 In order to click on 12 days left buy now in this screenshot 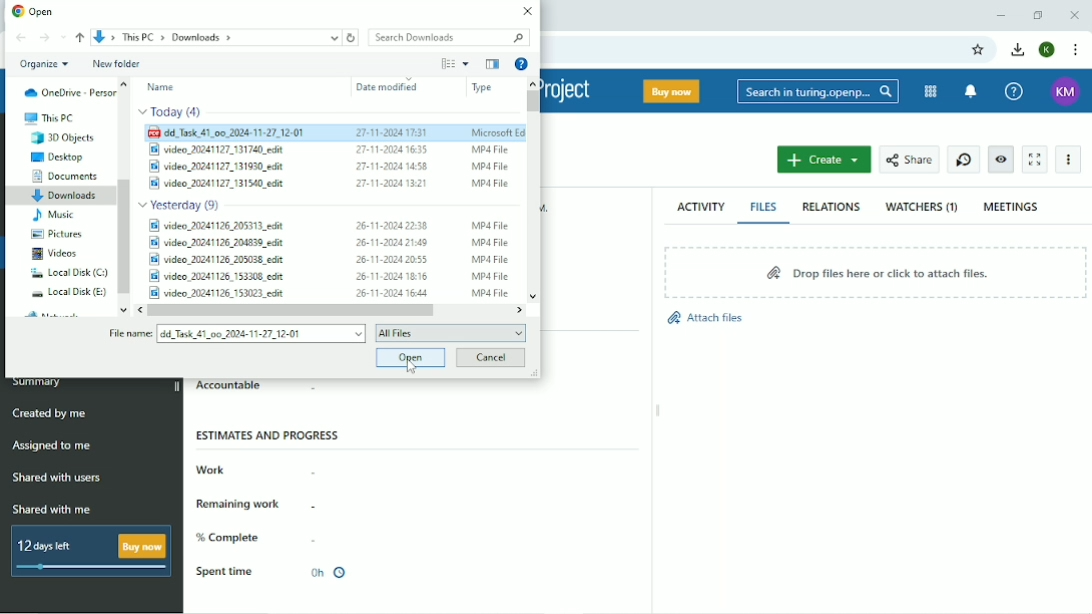, I will do `click(87, 551)`.